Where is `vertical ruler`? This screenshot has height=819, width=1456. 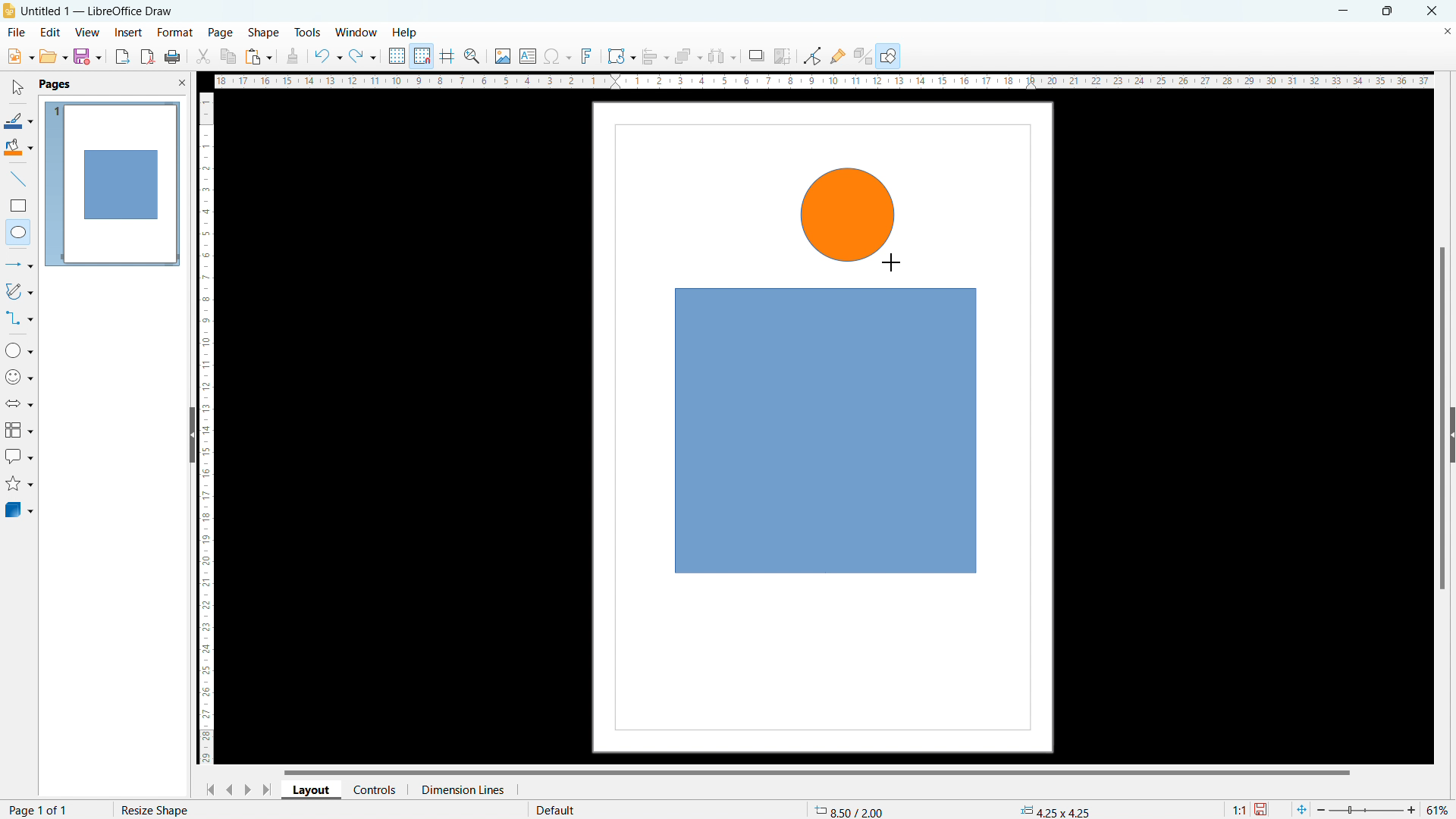
vertical ruler is located at coordinates (206, 428).